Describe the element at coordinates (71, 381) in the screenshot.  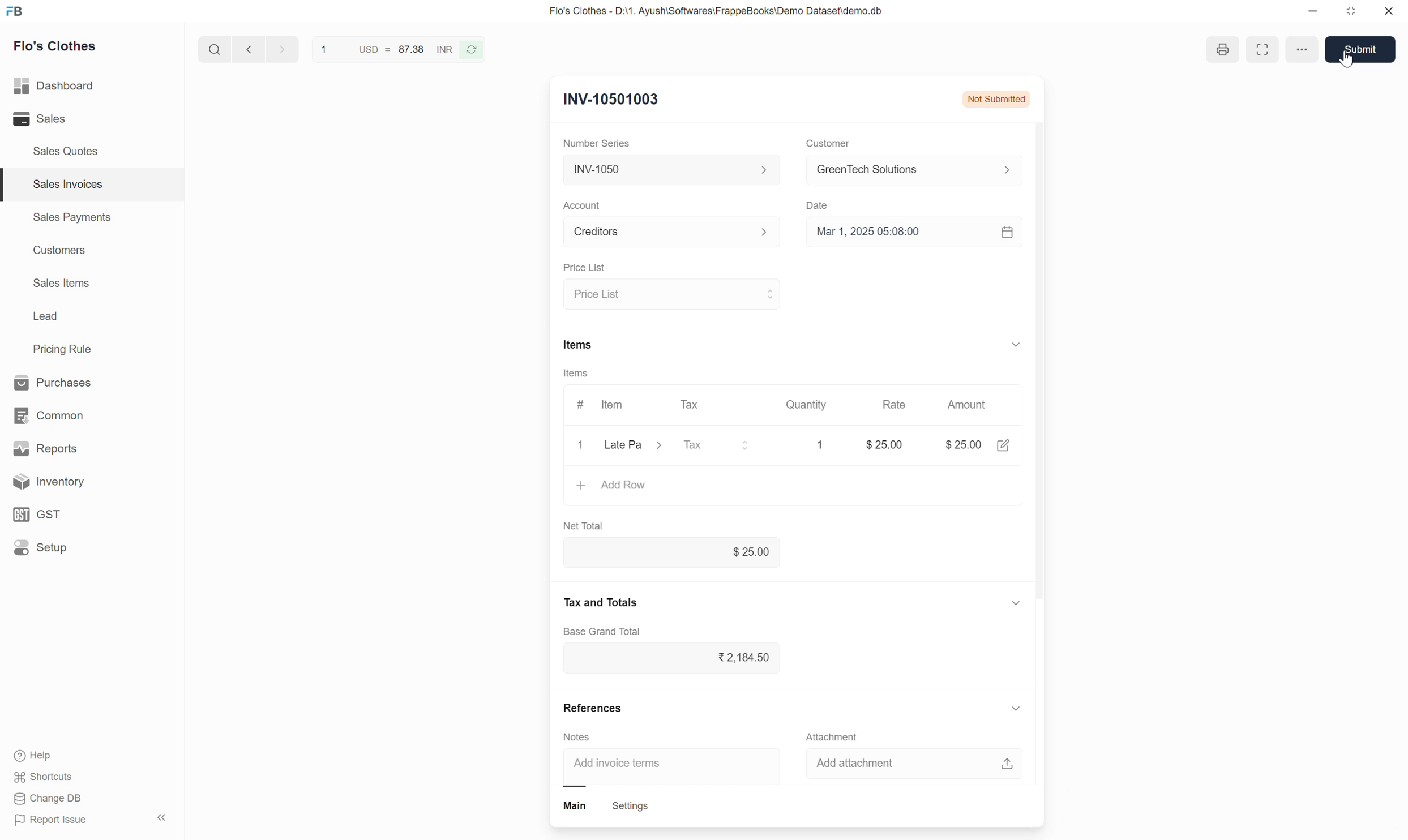
I see `Purchases ` at that location.